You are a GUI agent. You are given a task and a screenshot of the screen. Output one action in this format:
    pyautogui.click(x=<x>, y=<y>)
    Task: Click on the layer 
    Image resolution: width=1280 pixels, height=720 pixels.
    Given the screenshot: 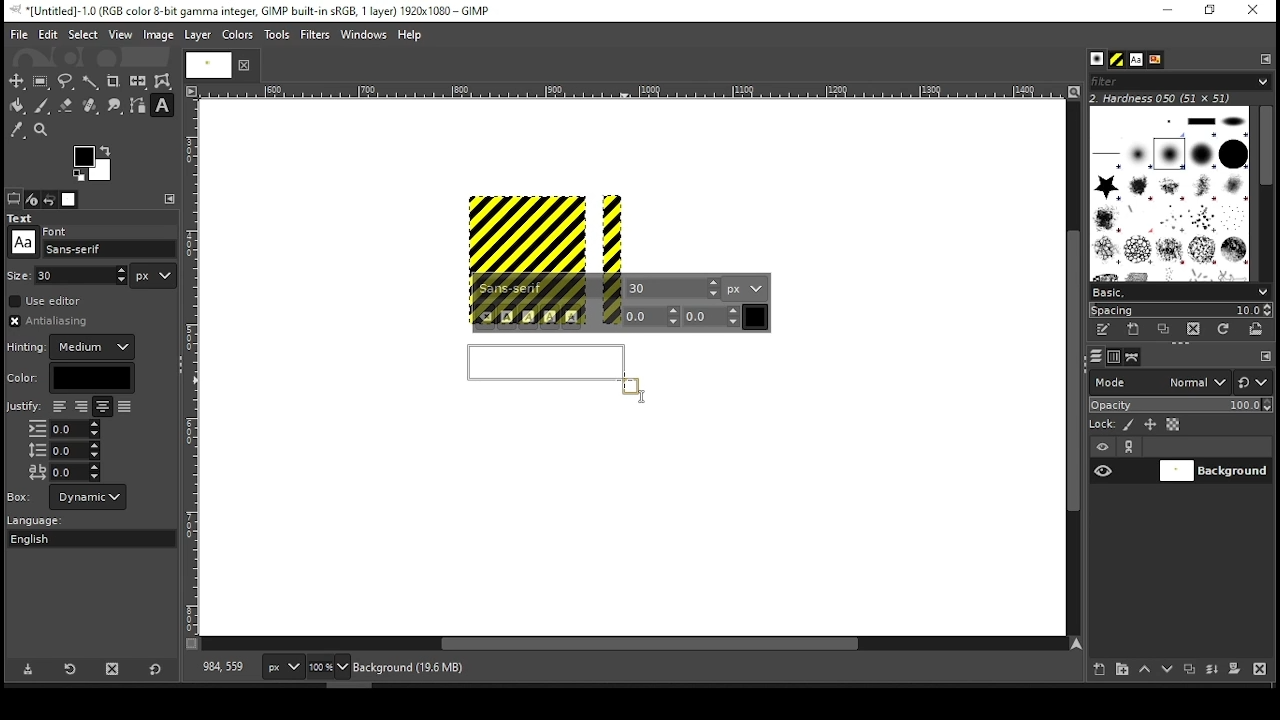 What is the action you would take?
    pyautogui.click(x=1213, y=471)
    